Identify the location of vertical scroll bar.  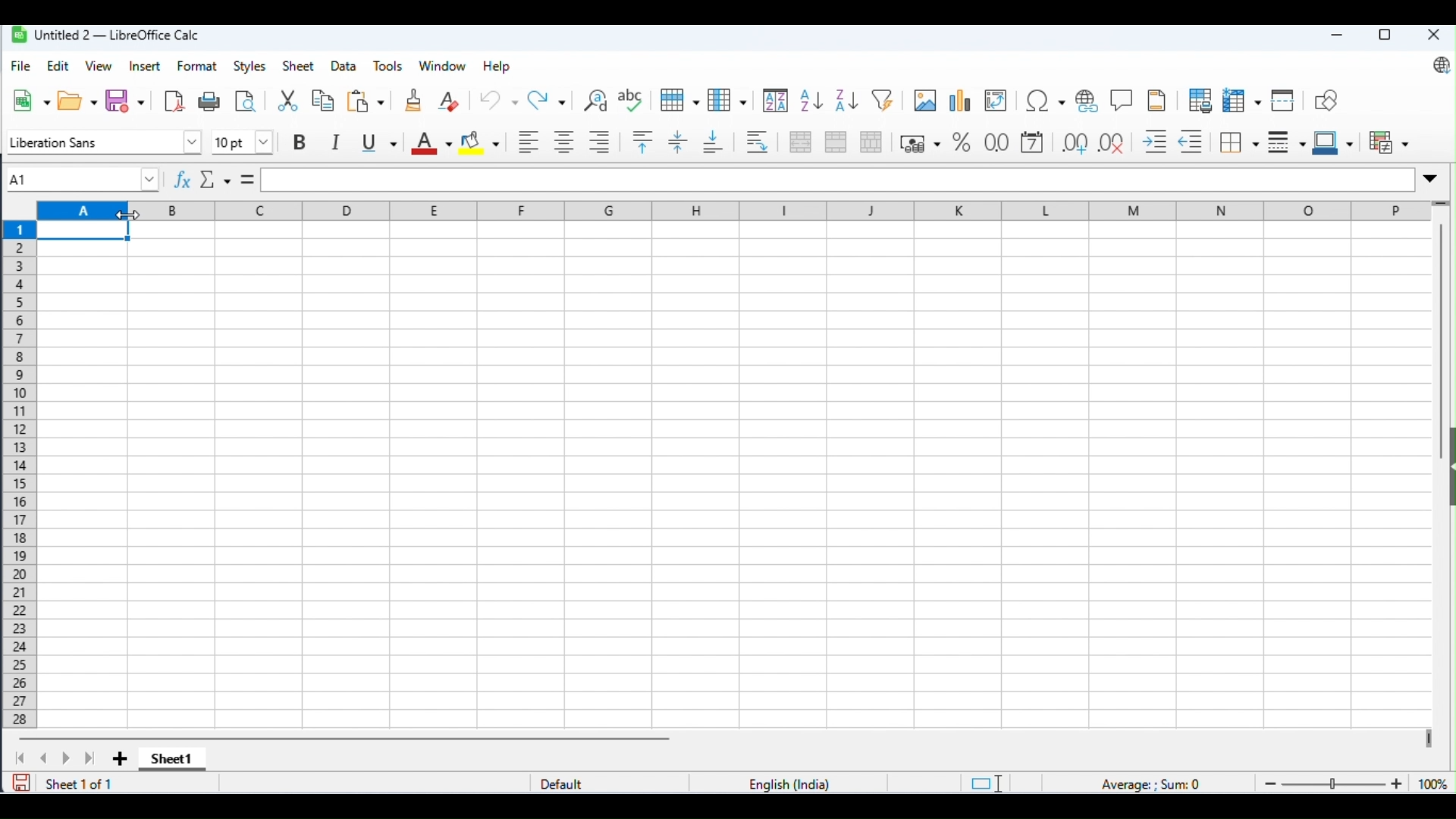
(1444, 347).